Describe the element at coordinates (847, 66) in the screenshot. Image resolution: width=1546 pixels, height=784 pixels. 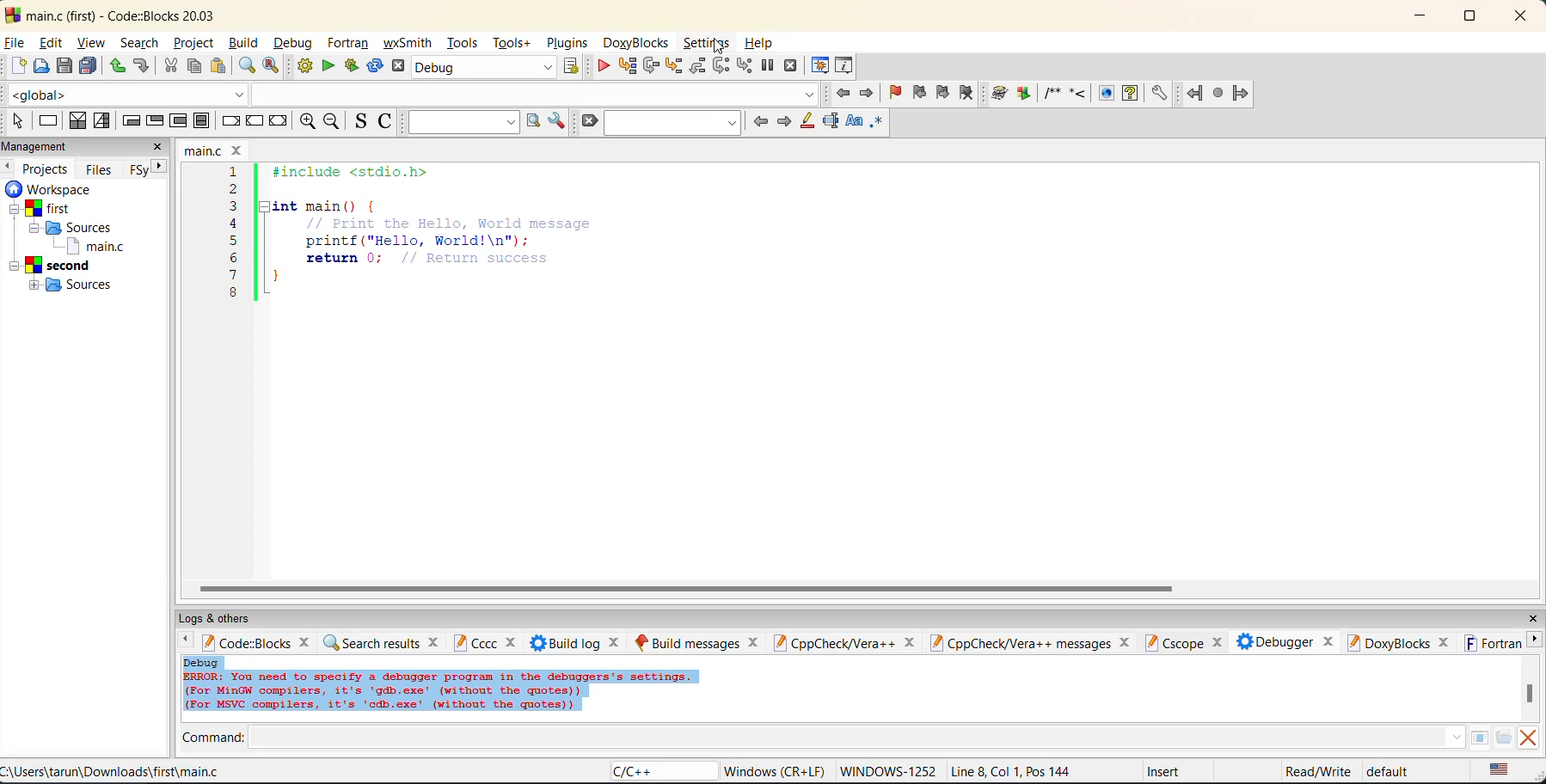
I see `various info` at that location.